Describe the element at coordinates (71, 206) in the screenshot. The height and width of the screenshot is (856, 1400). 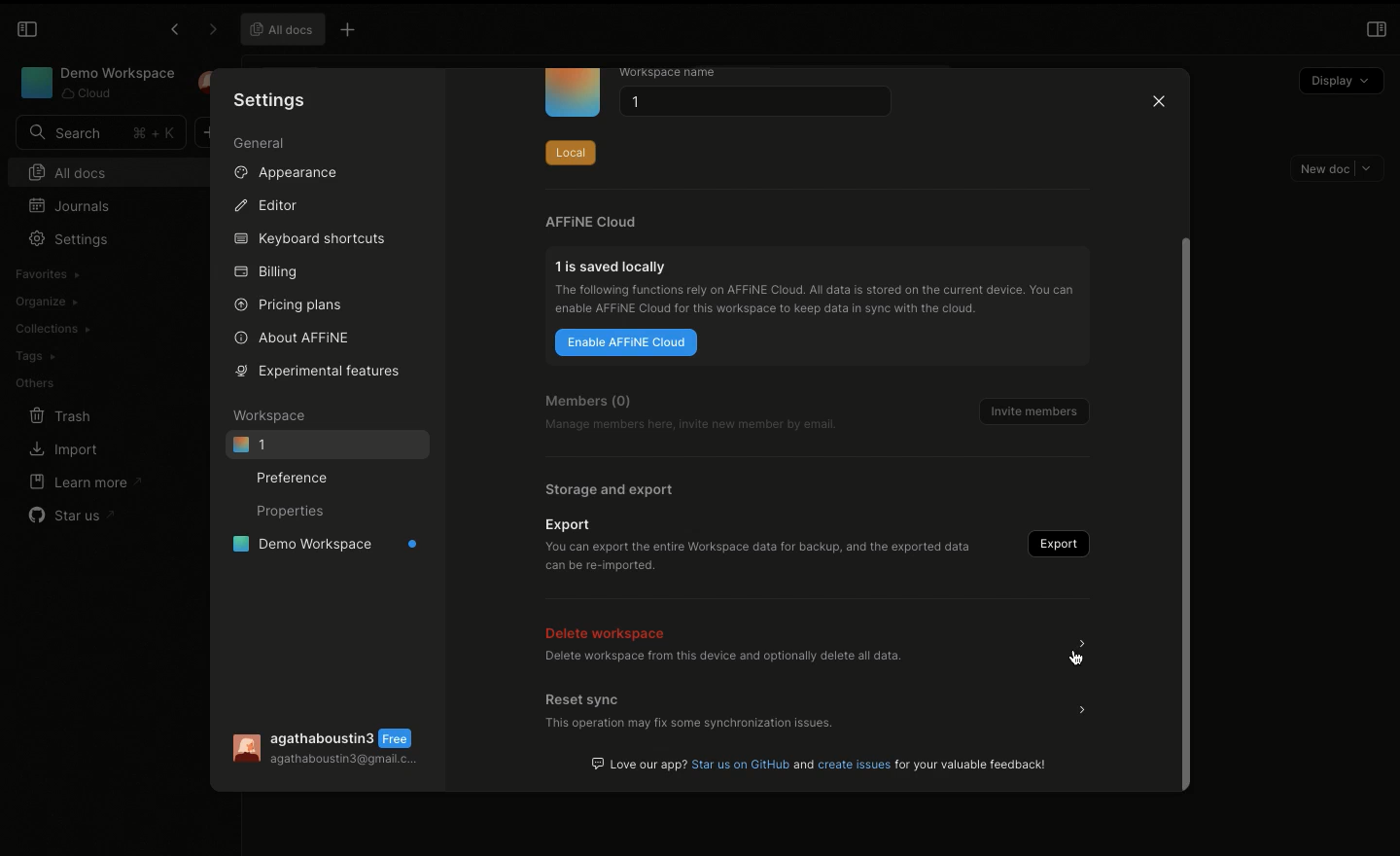
I see `Journals` at that location.